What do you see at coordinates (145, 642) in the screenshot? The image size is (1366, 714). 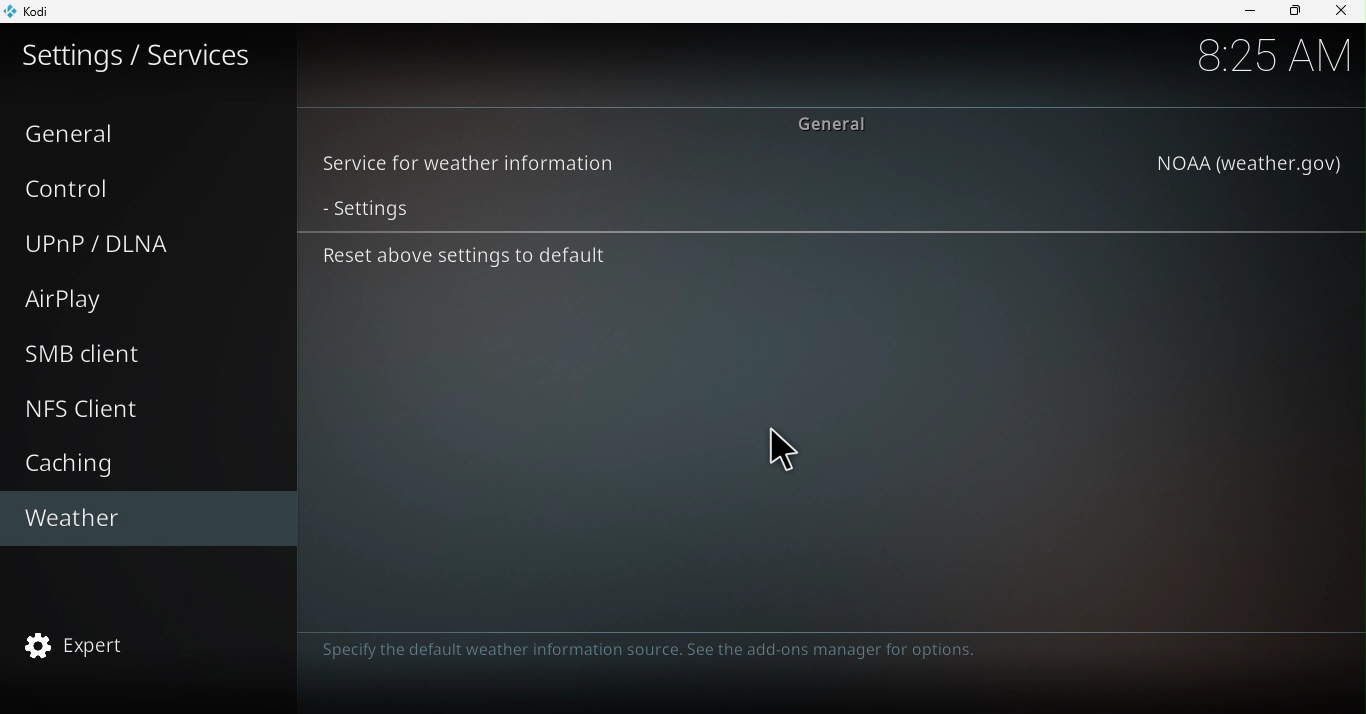 I see `Expert` at bounding box center [145, 642].